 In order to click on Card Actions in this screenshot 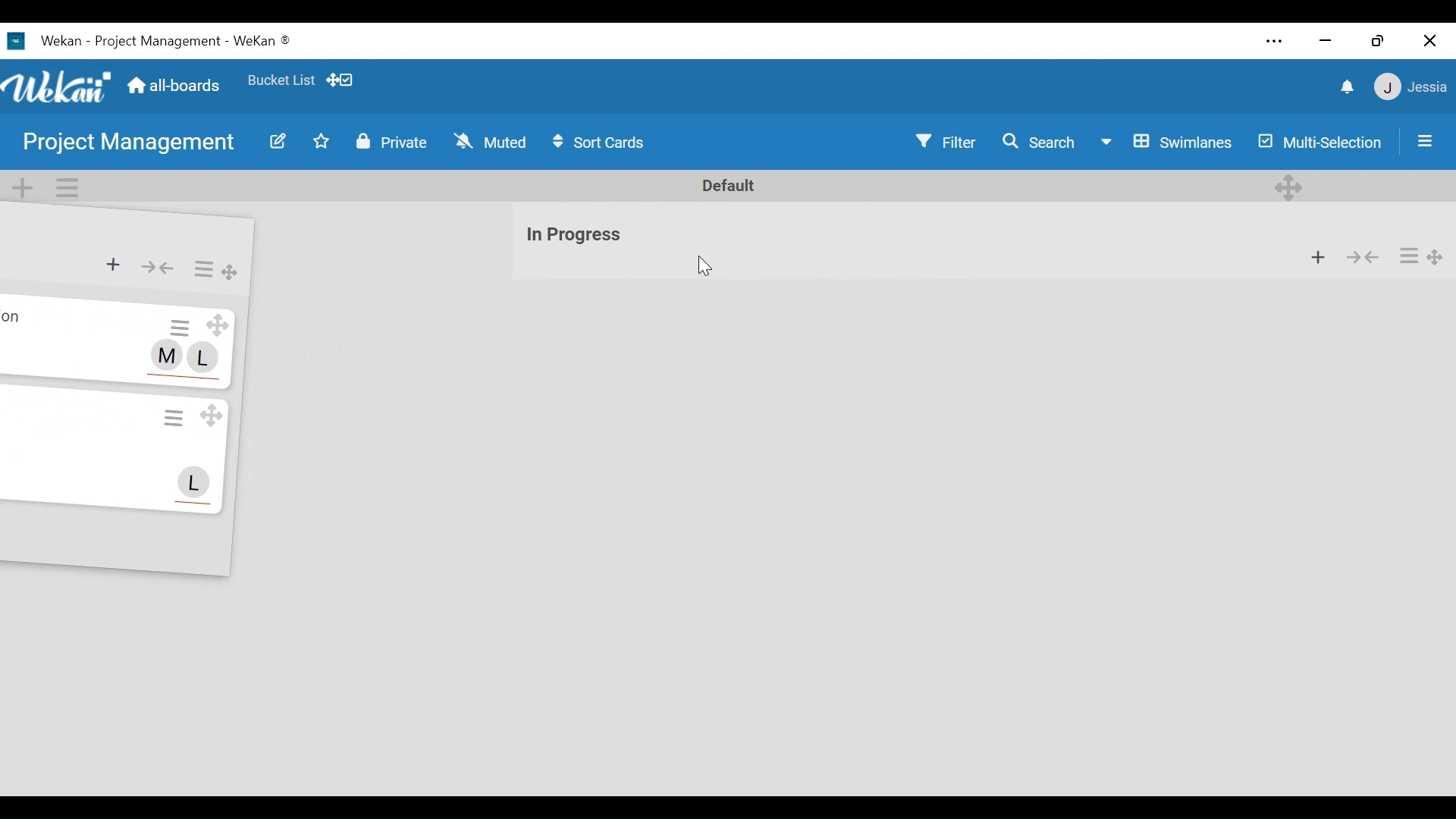, I will do `click(178, 327)`.